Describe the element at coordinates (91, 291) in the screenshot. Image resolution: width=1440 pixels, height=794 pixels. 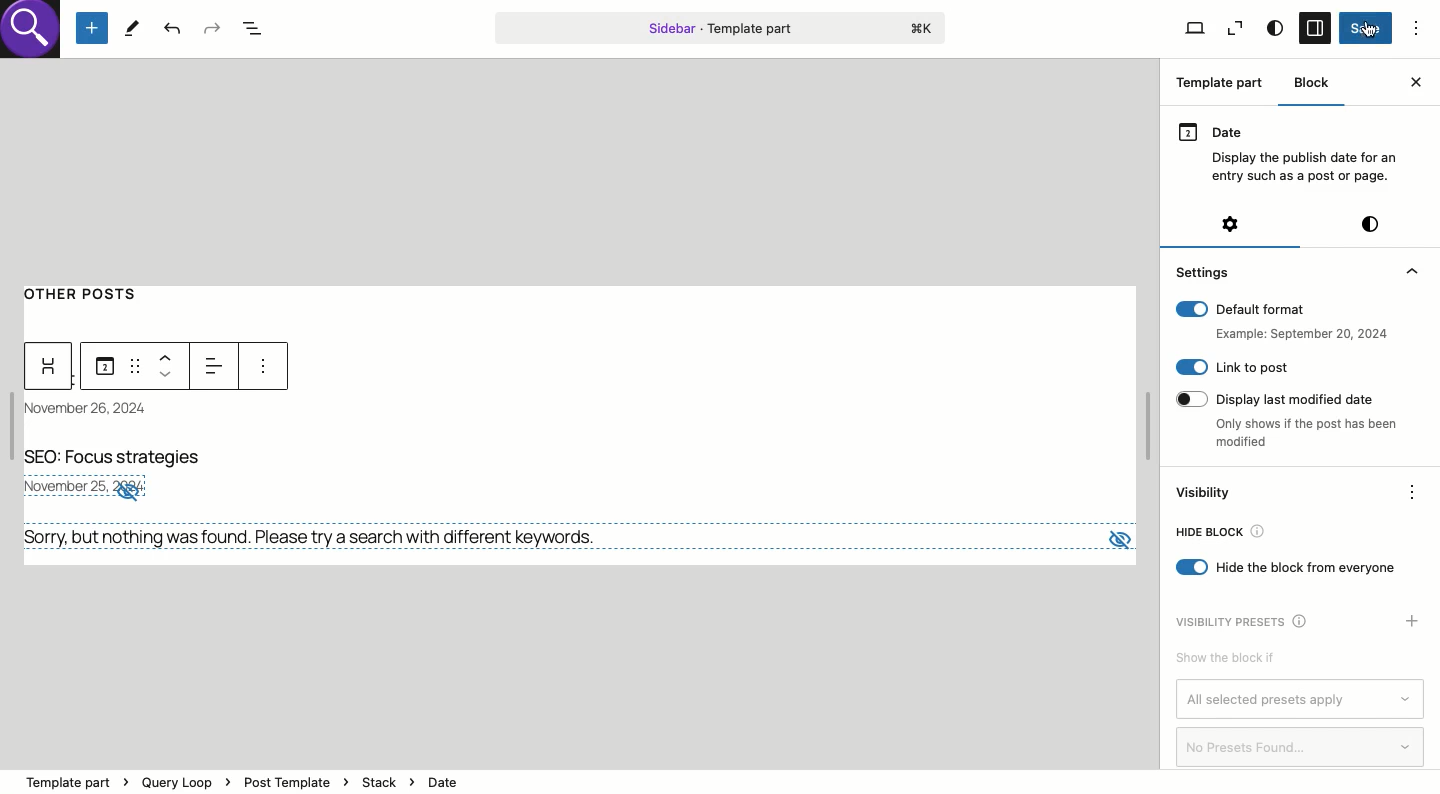
I see `Other posts` at that location.